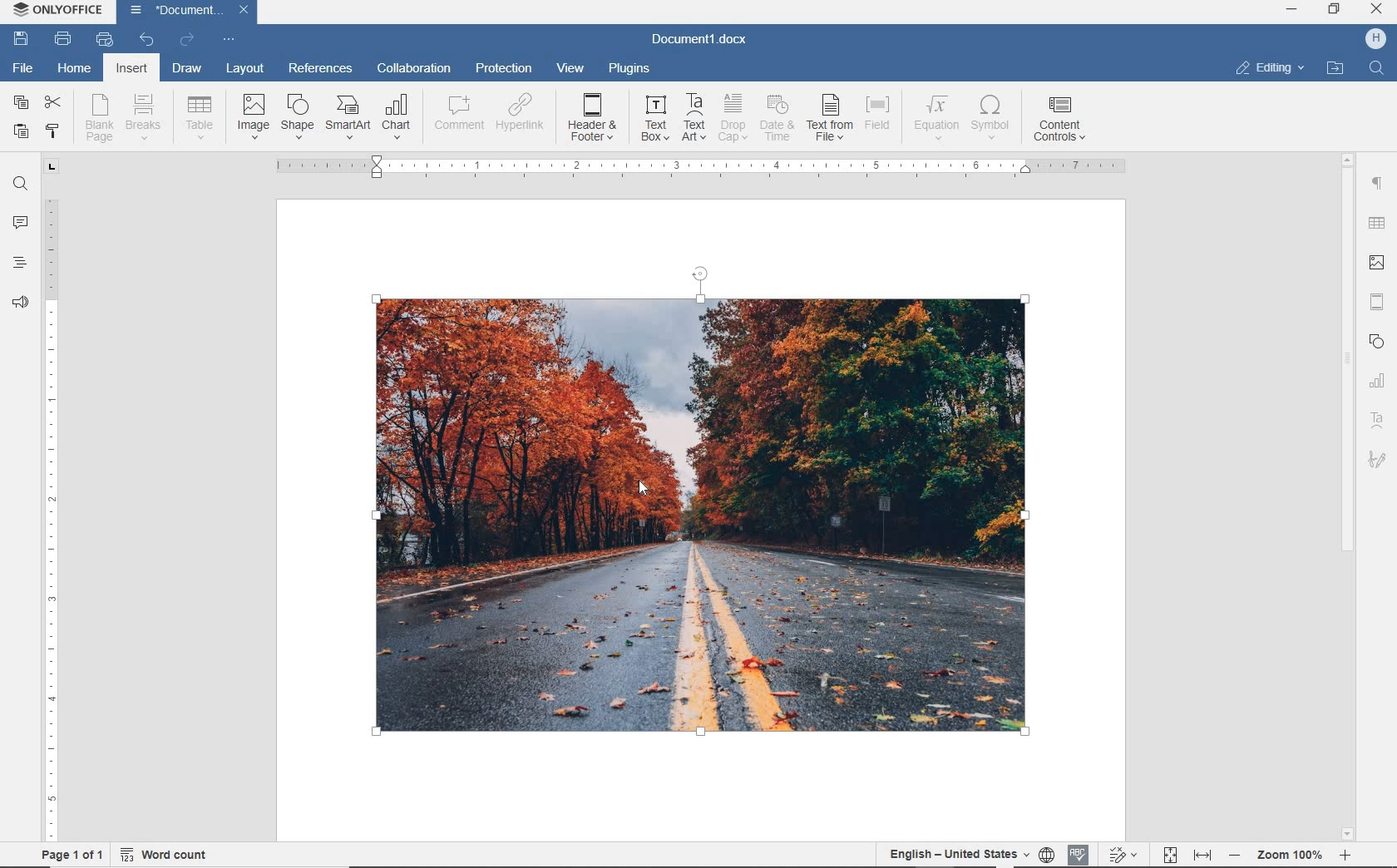 The height and width of the screenshot is (868, 1397). What do you see at coordinates (169, 856) in the screenshot?
I see `word count` at bounding box center [169, 856].